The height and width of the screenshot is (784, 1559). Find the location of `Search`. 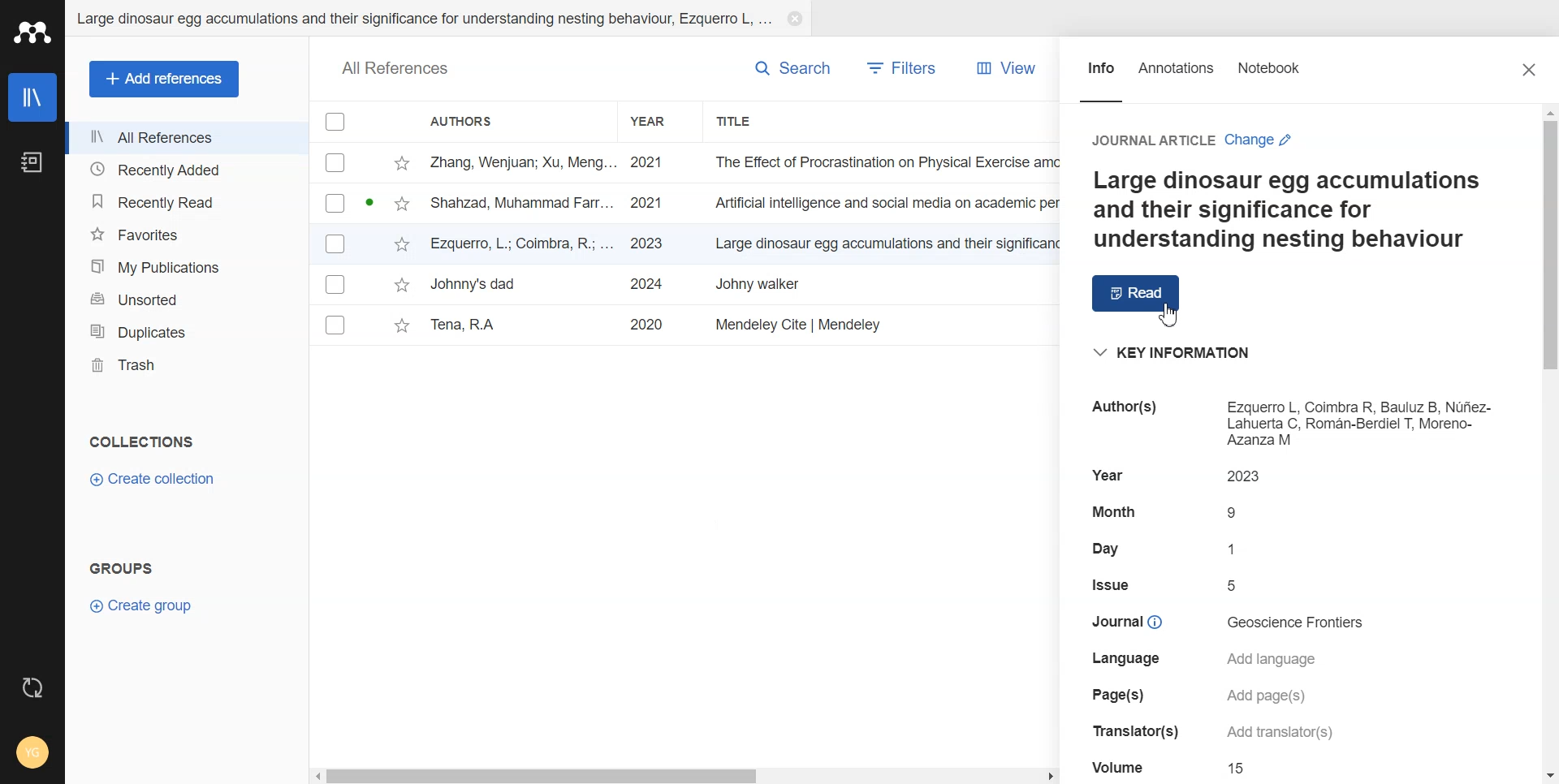

Search is located at coordinates (793, 67).